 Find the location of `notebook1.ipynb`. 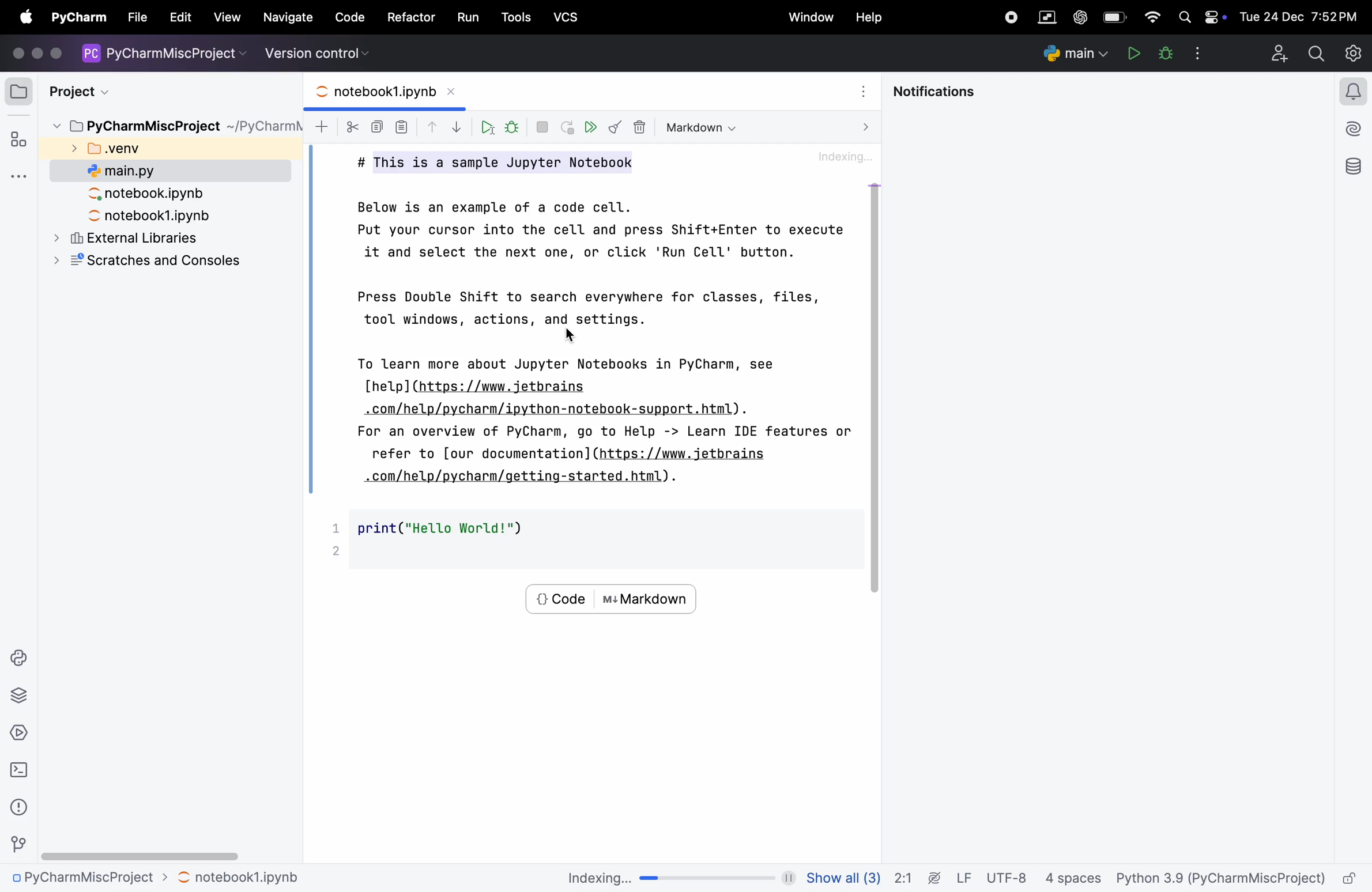

notebook1.ipynb is located at coordinates (386, 90).